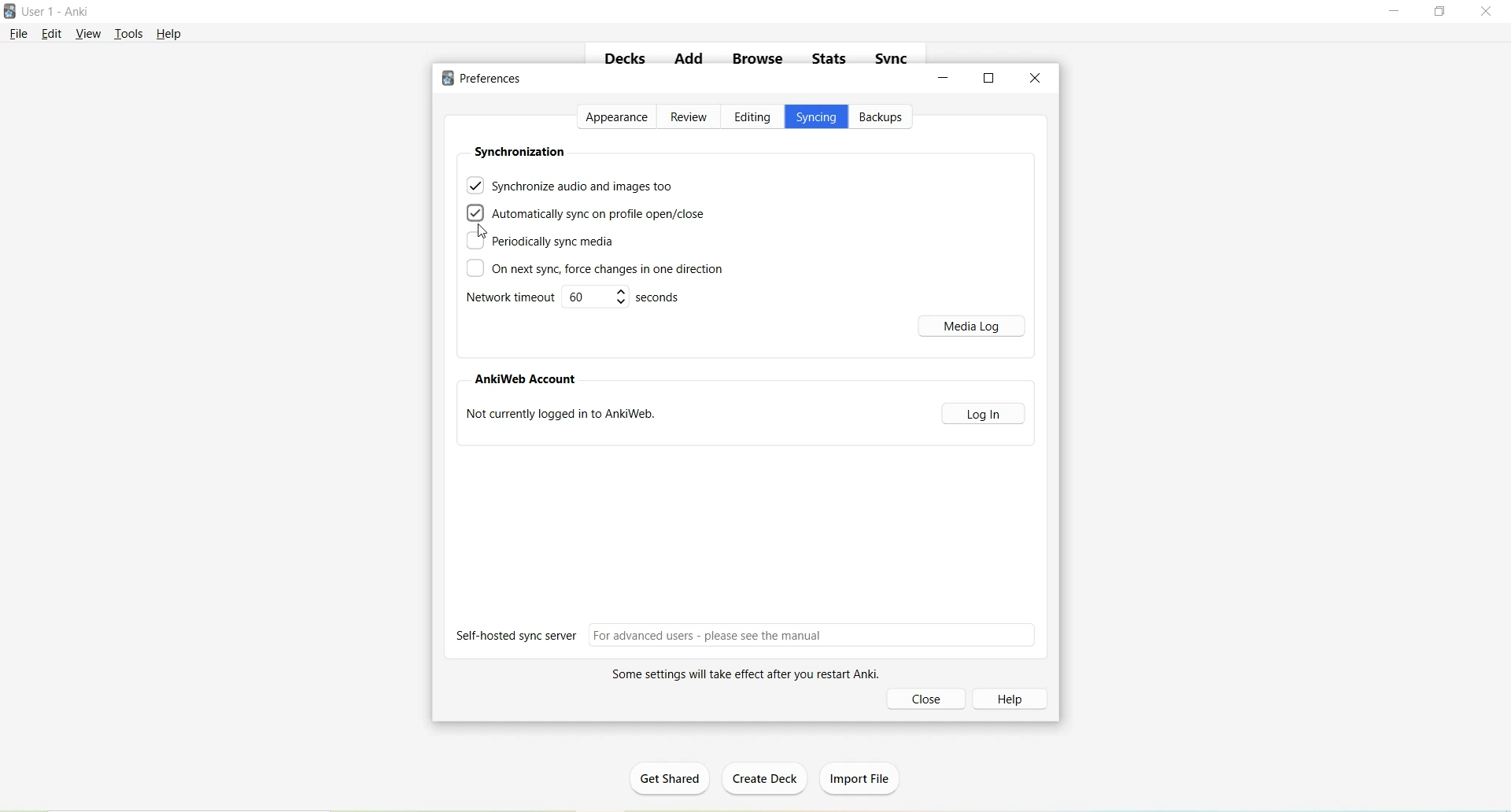 Image resolution: width=1511 pixels, height=812 pixels. Describe the element at coordinates (576, 299) in the screenshot. I see `Network timeout` at that location.